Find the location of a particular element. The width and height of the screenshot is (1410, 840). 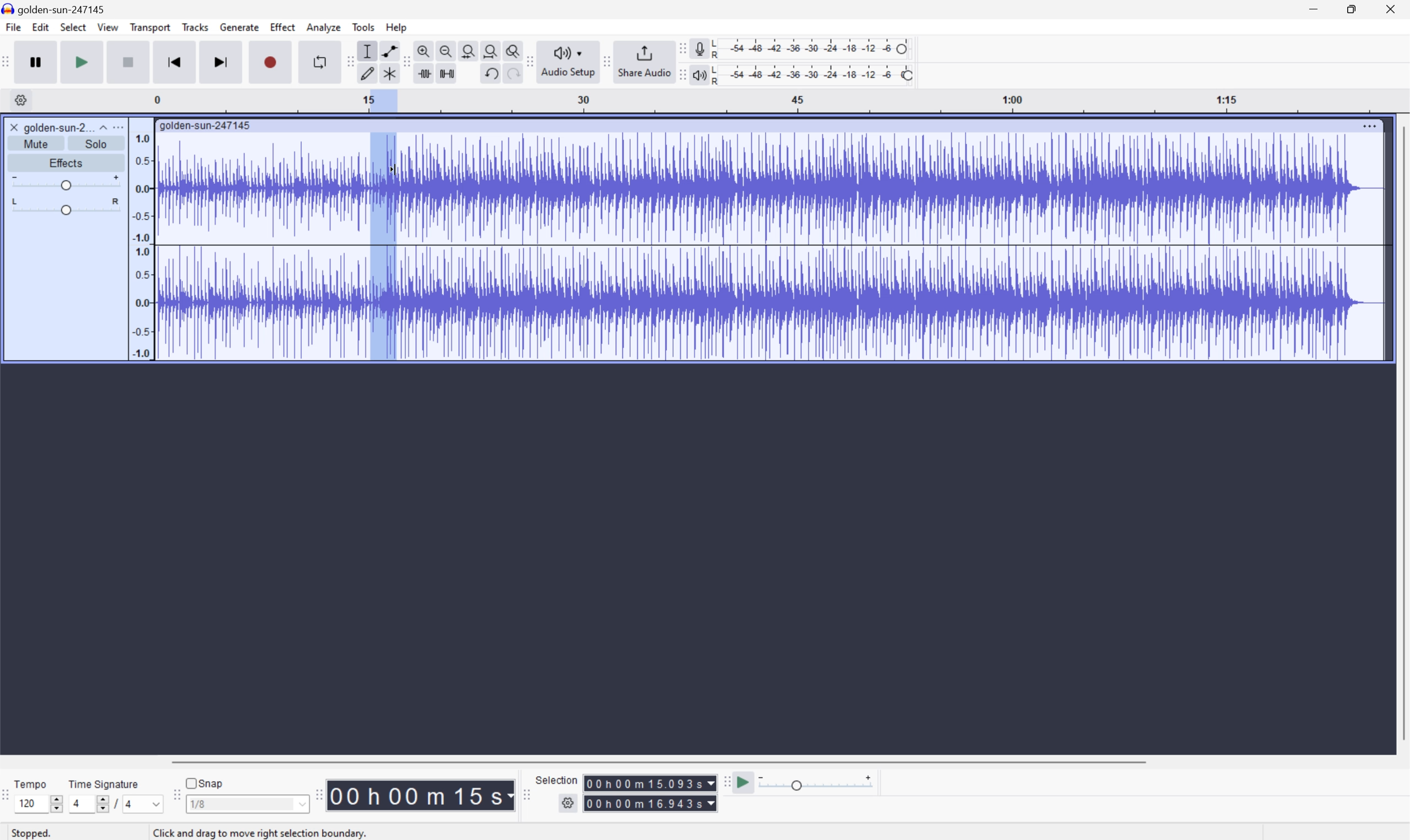

Playback meter is located at coordinates (697, 76).